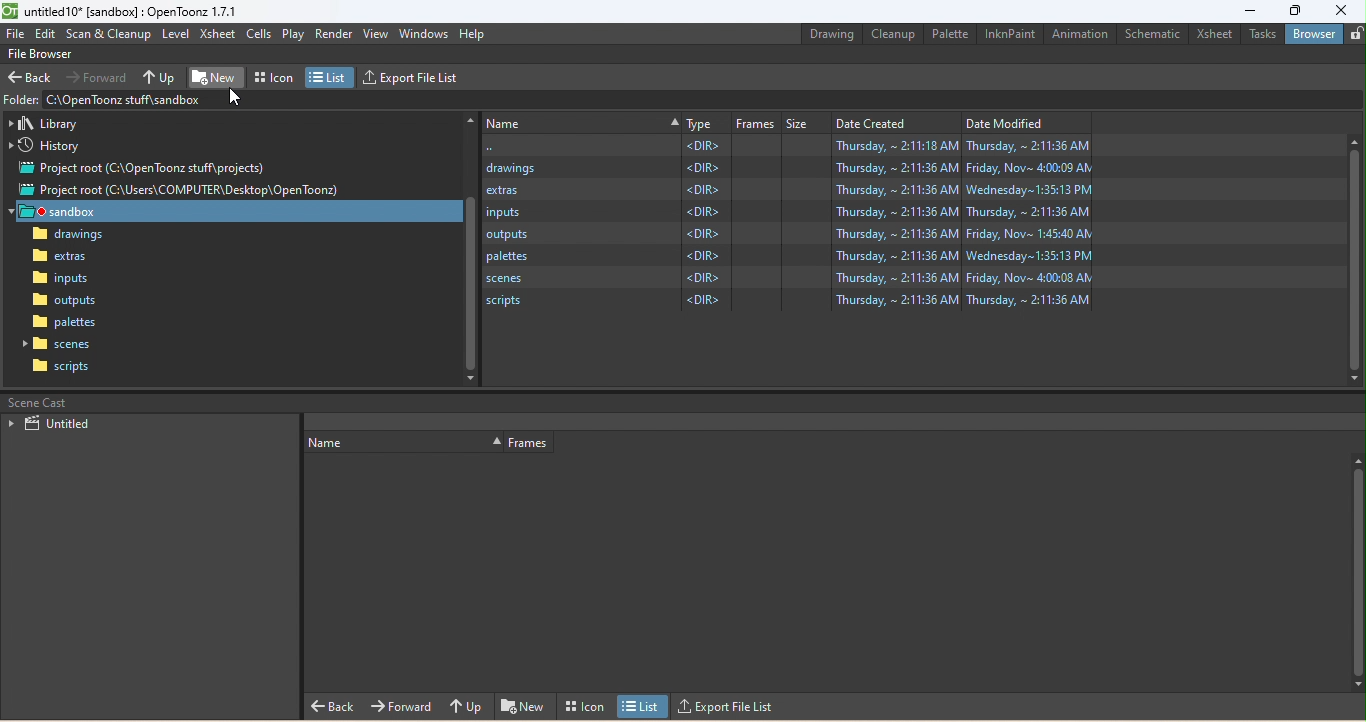 The image size is (1366, 722). Describe the element at coordinates (55, 368) in the screenshot. I see `scripts` at that location.